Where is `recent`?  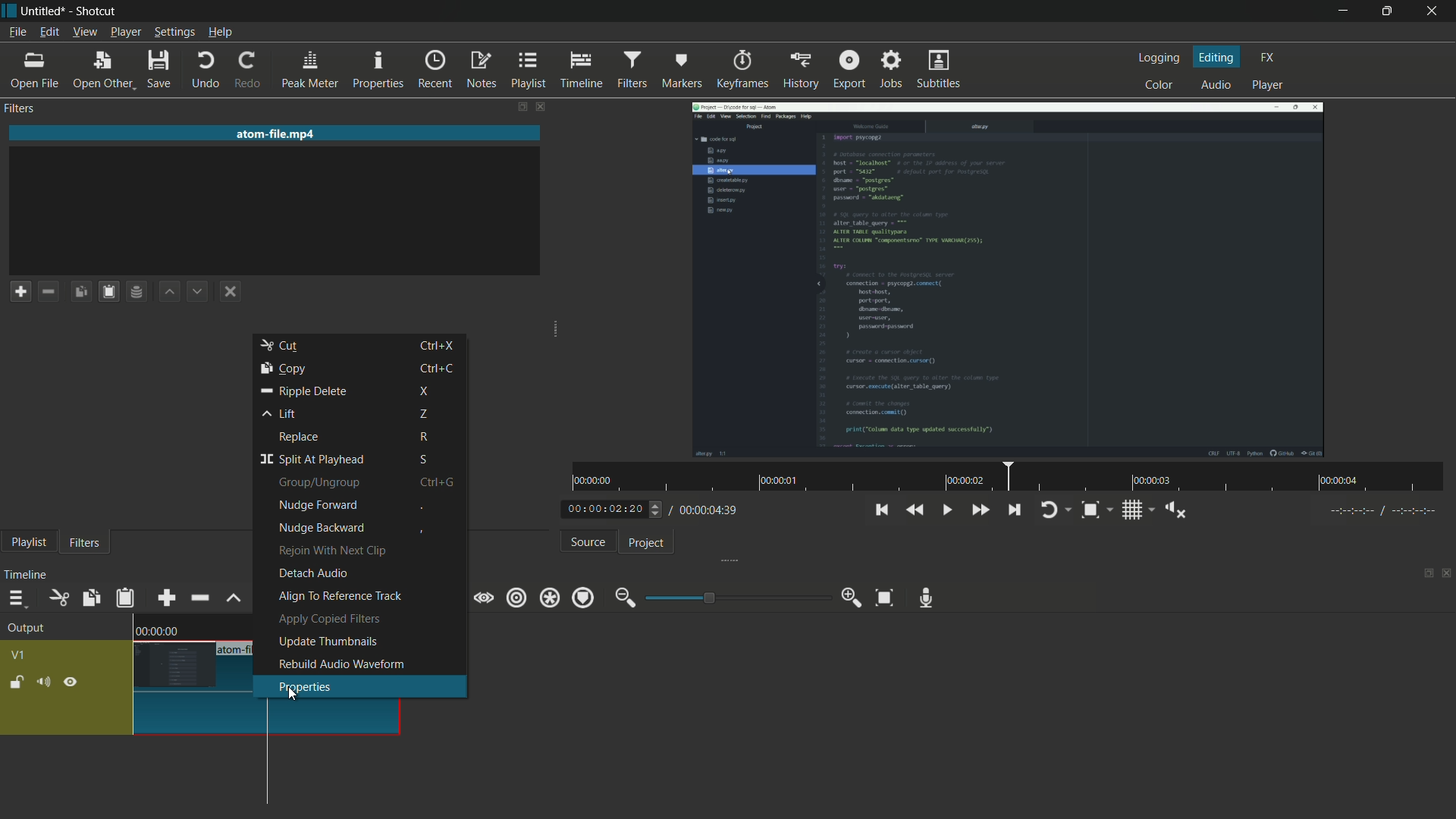
recent is located at coordinates (433, 71).